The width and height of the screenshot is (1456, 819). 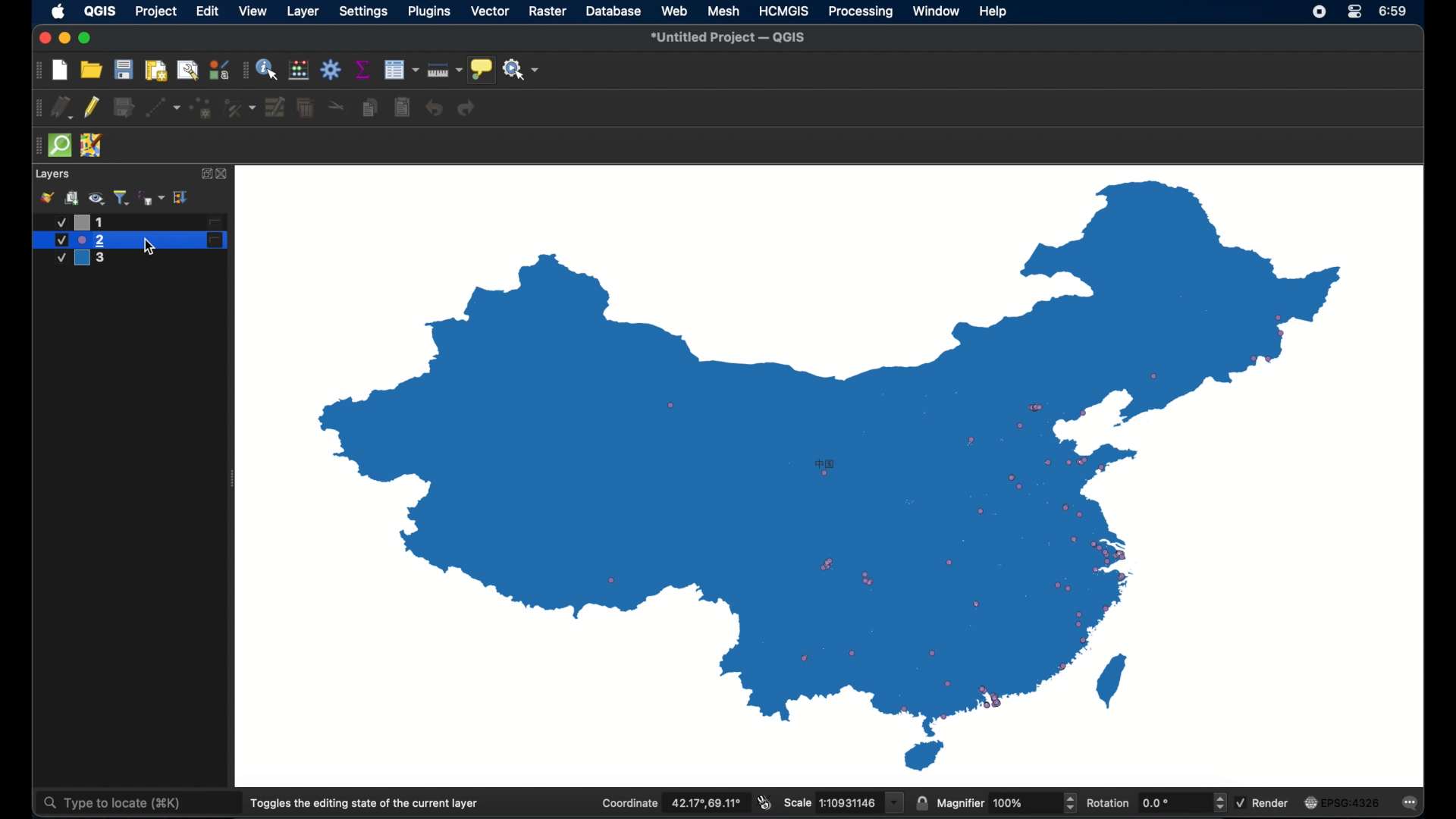 I want to click on drag handle, so click(x=36, y=70).